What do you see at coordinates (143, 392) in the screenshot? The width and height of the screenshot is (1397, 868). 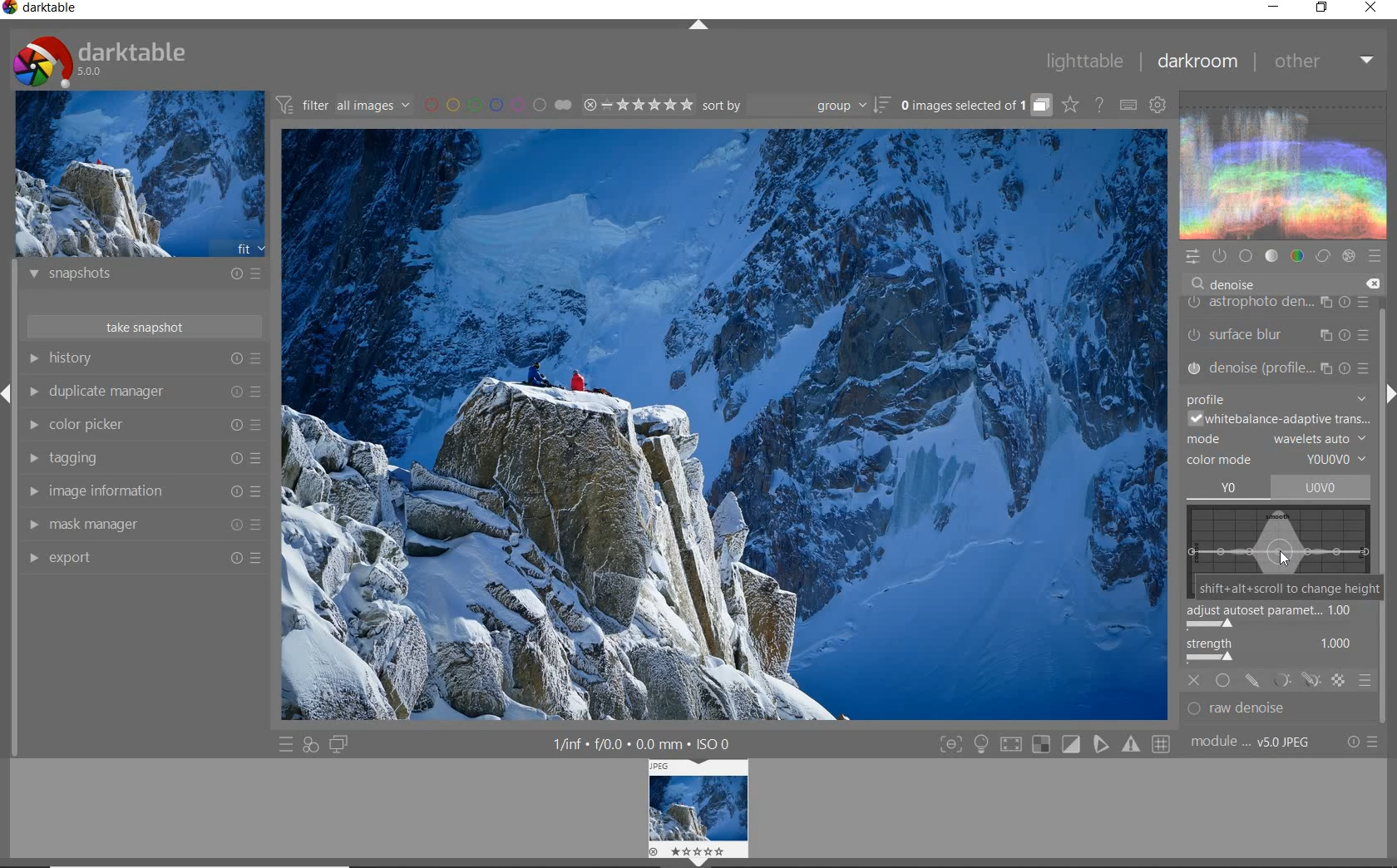 I see `duplicate manager` at bounding box center [143, 392].